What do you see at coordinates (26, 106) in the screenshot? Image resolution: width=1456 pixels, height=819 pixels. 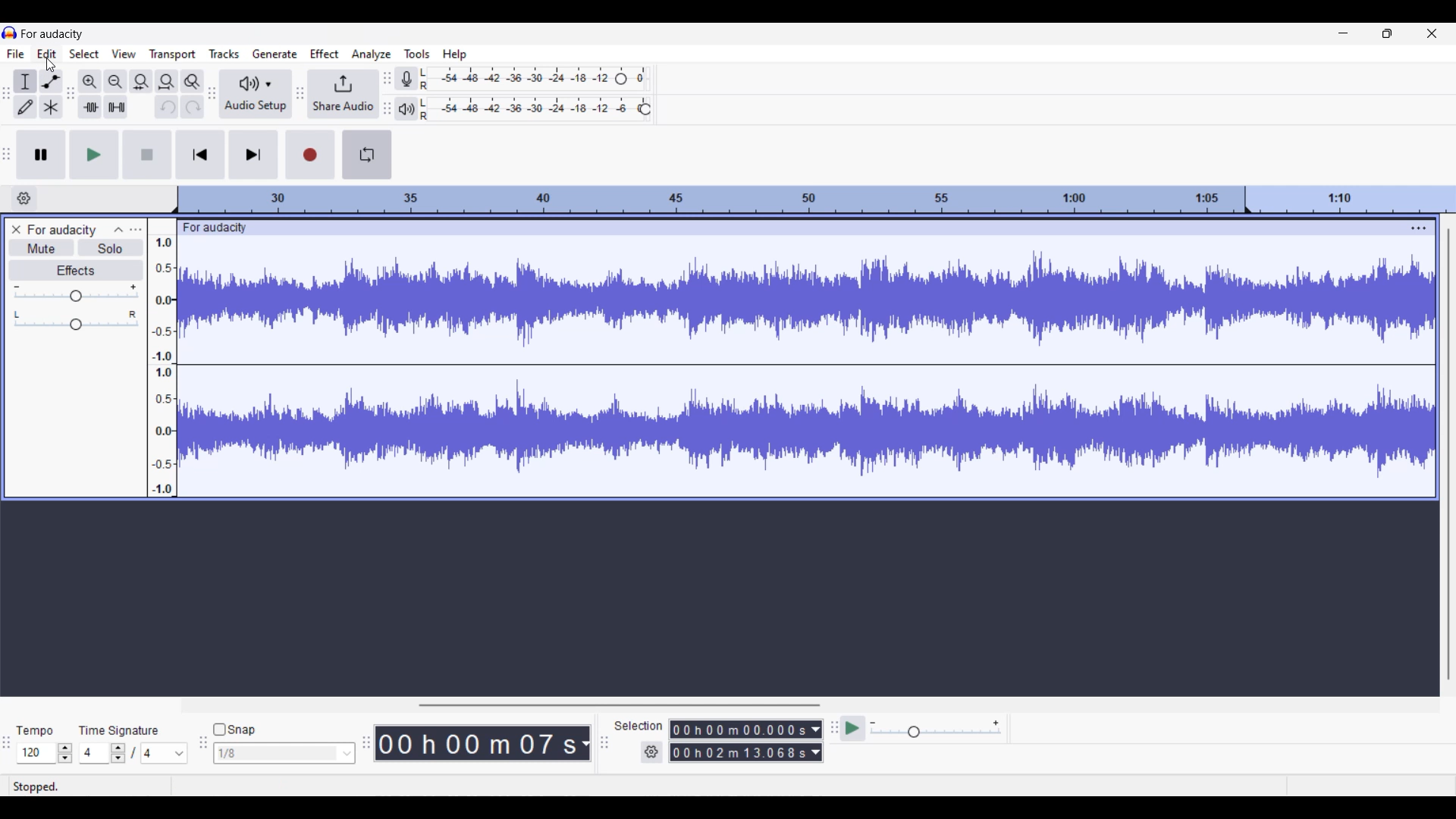 I see `Draw tool` at bounding box center [26, 106].